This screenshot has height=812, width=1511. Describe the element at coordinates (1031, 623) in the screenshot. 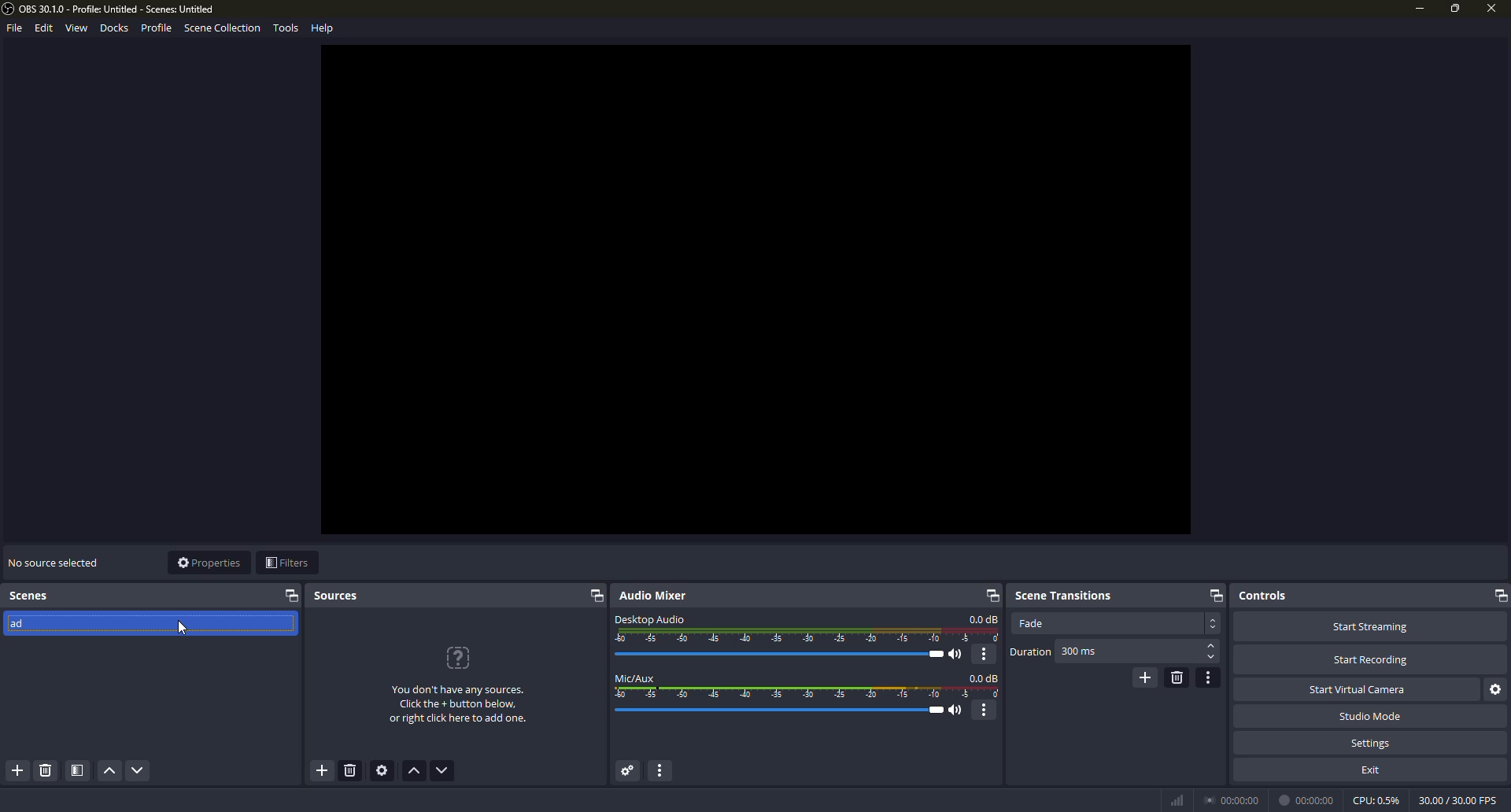

I see `fade` at that location.